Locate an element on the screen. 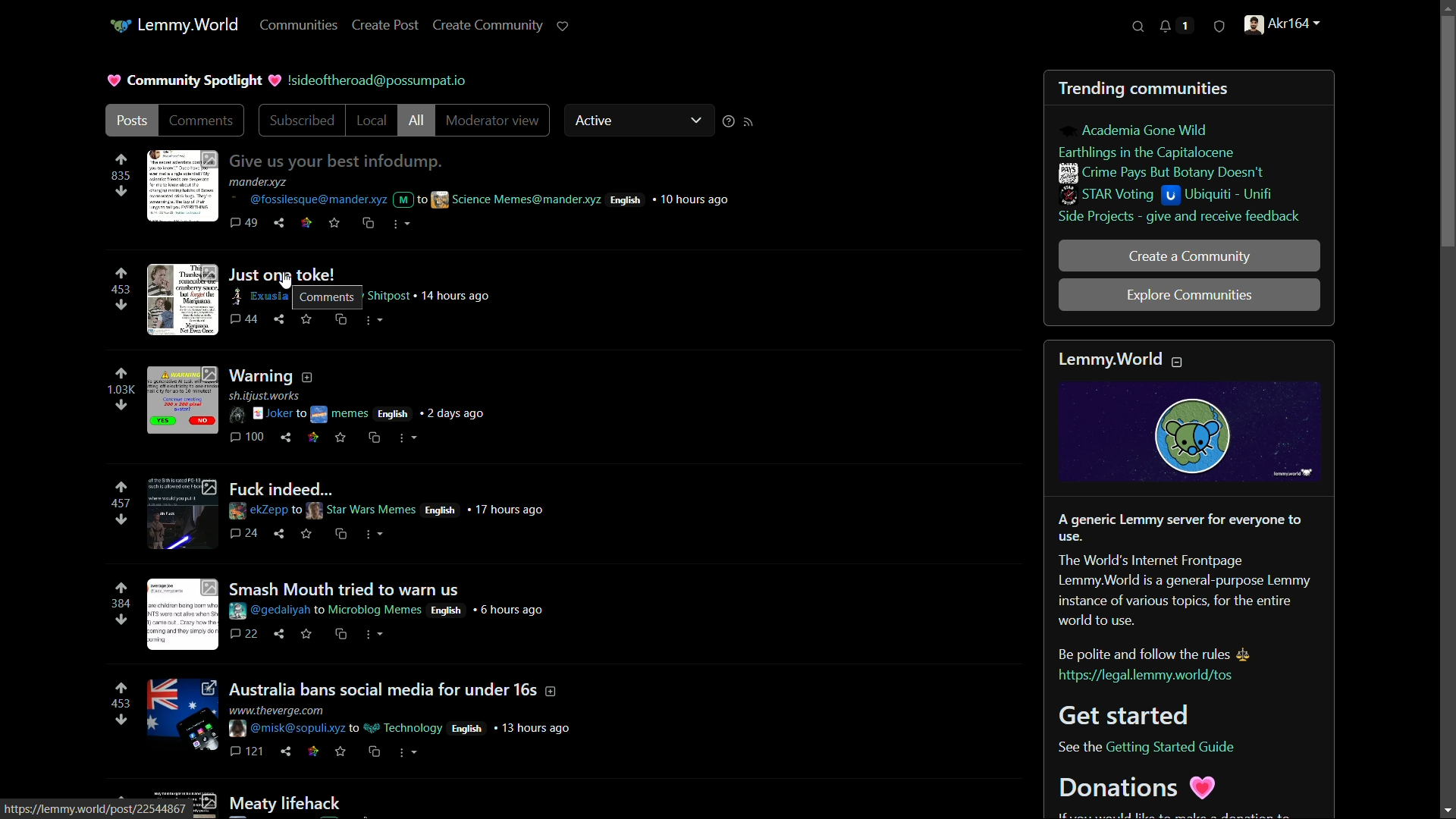 The width and height of the screenshot is (1456, 819). Technology is located at coordinates (405, 727).